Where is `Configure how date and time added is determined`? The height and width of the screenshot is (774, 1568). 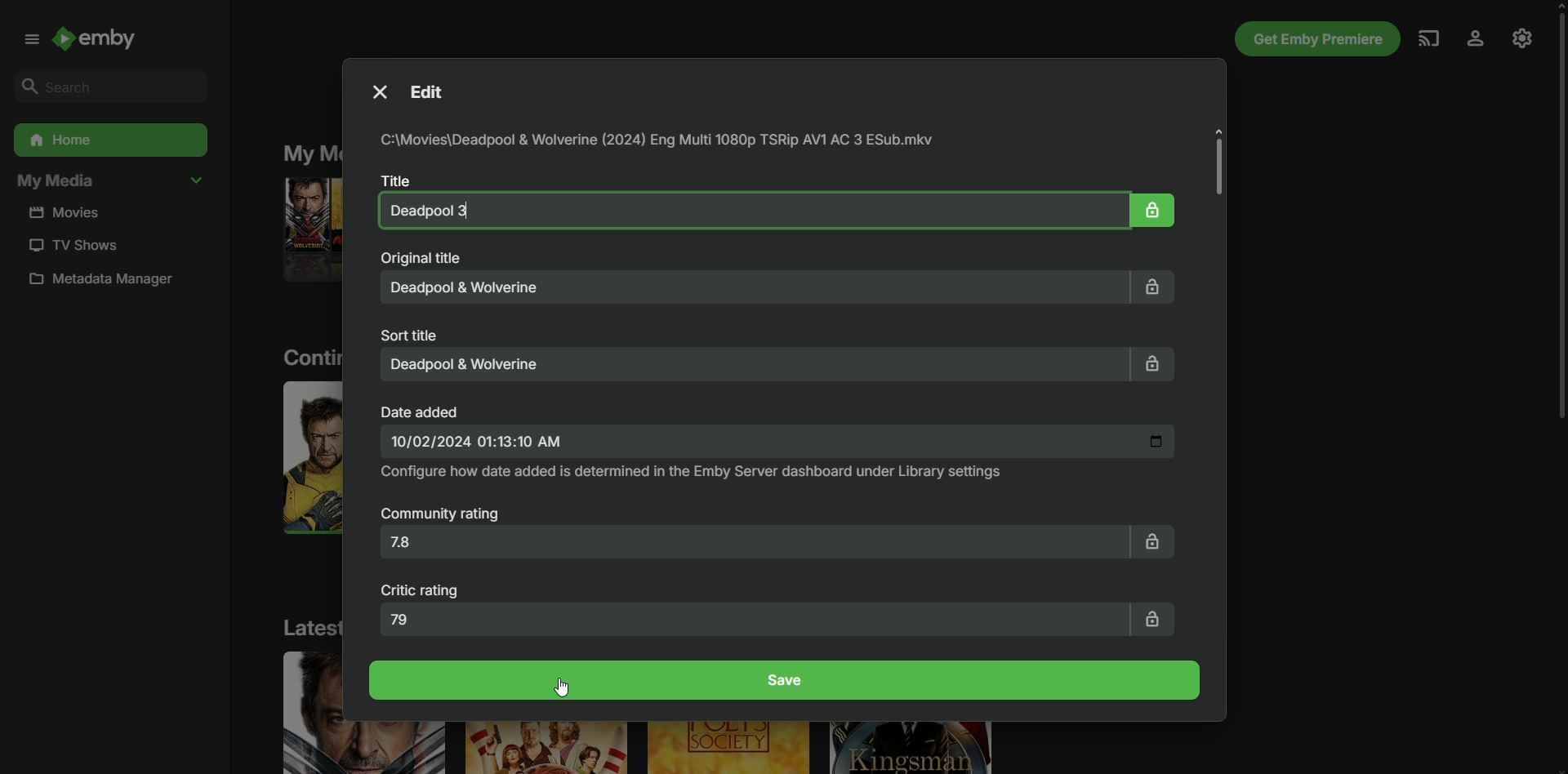 Configure how date and time added is determined is located at coordinates (693, 473).